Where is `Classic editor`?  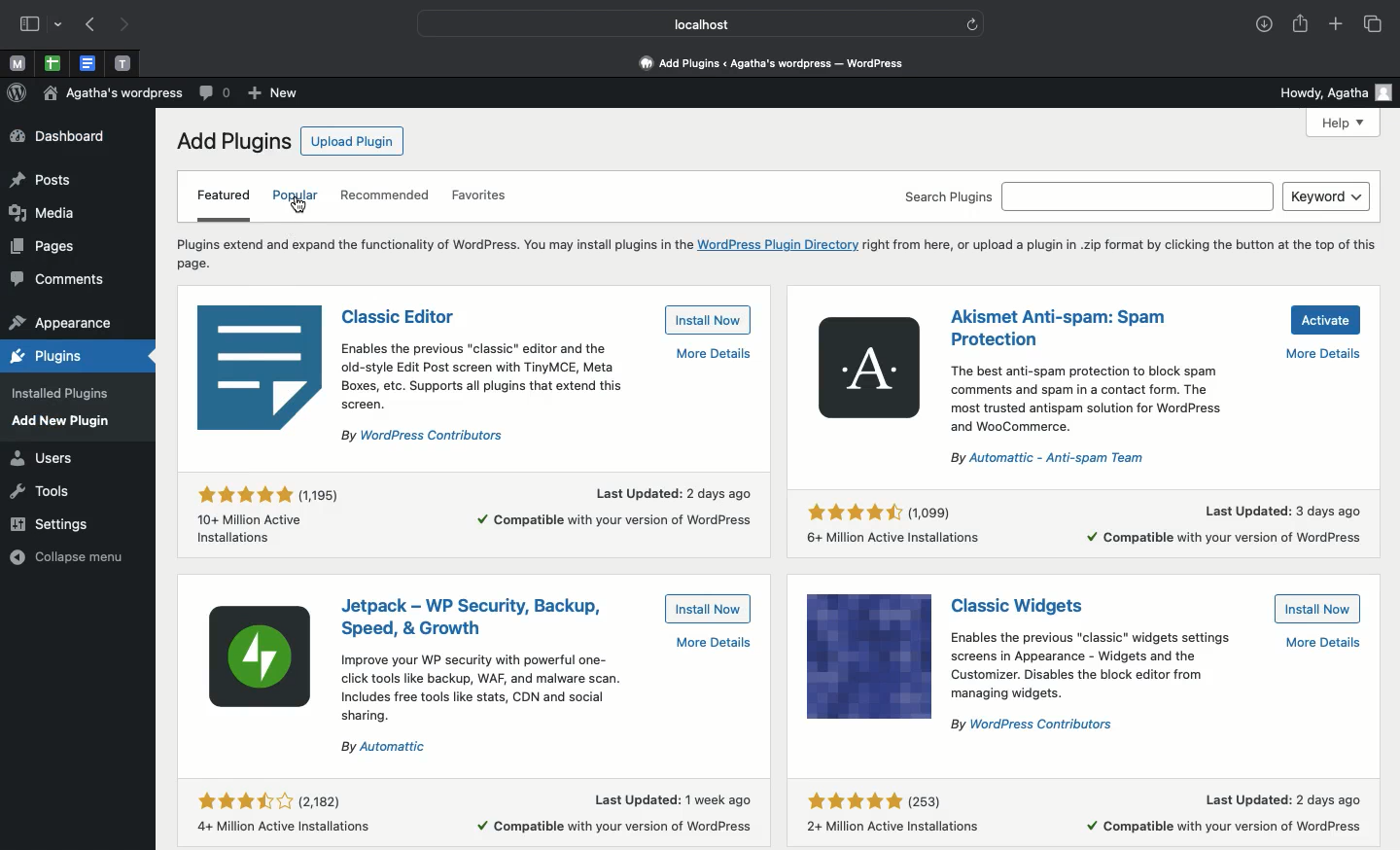 Classic editor is located at coordinates (408, 319).